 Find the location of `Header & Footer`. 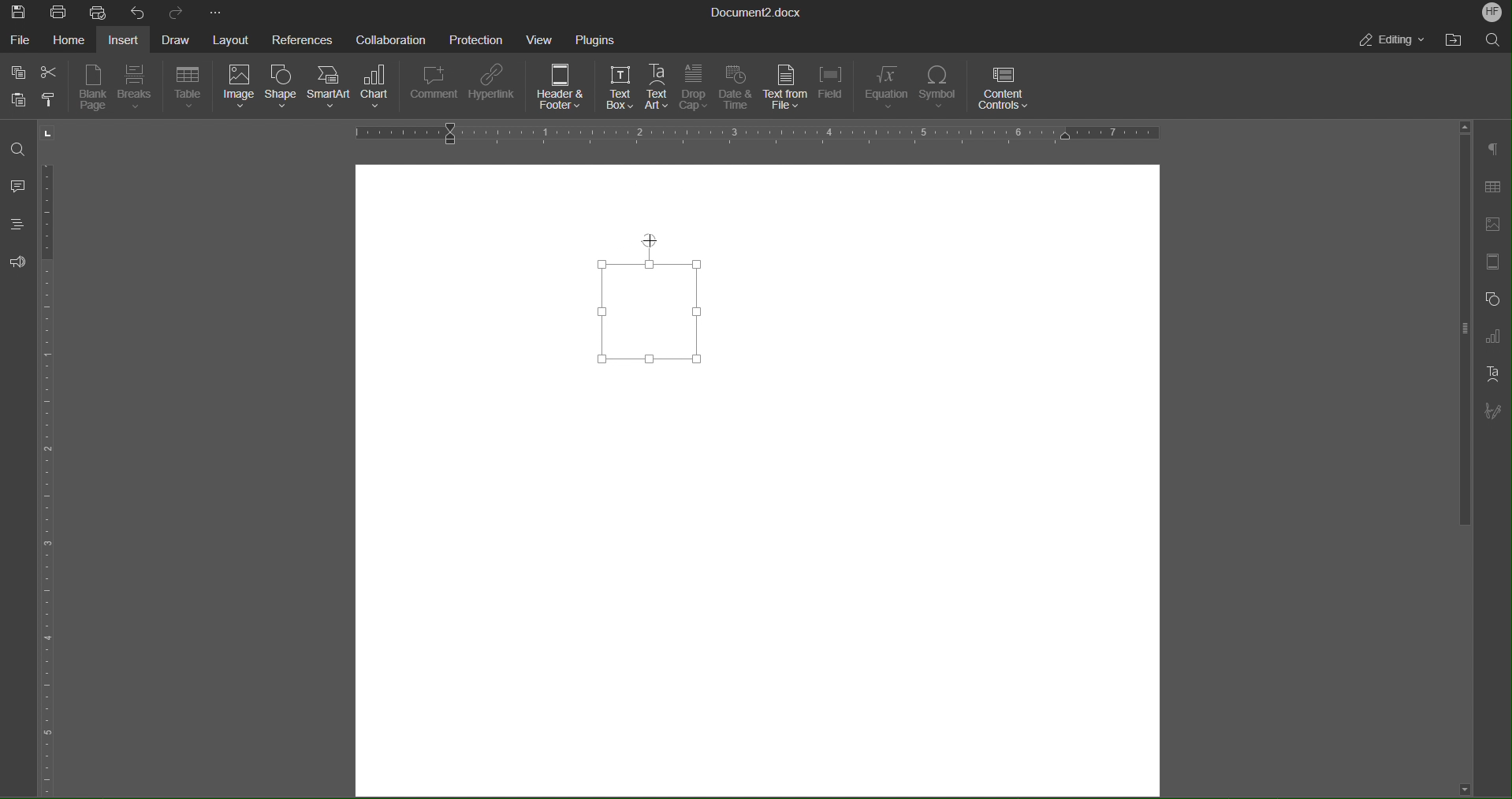

Header & Footer is located at coordinates (562, 89).